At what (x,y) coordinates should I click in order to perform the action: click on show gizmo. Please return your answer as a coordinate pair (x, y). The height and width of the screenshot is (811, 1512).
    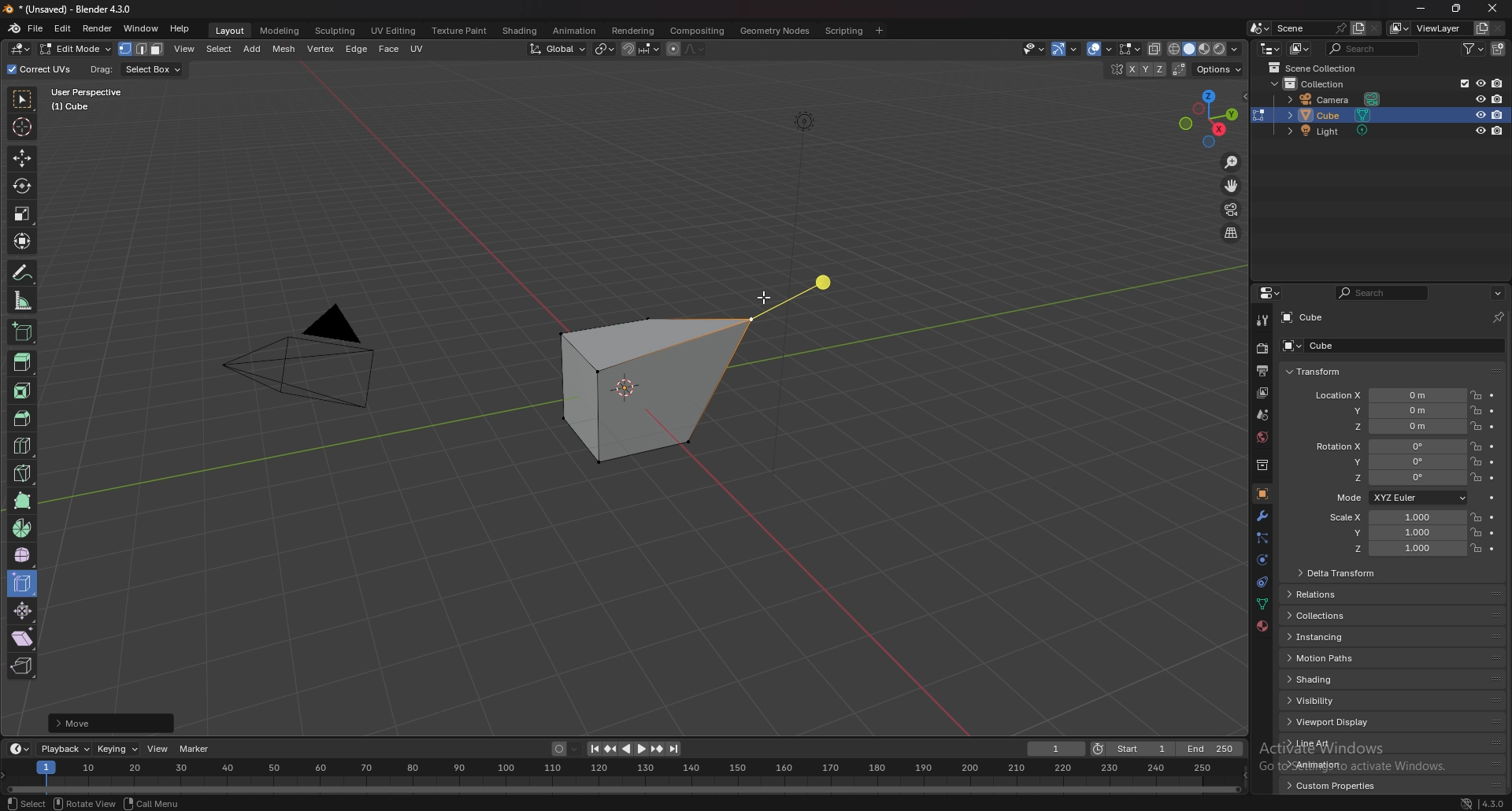
    Looking at the image, I should click on (1092, 49).